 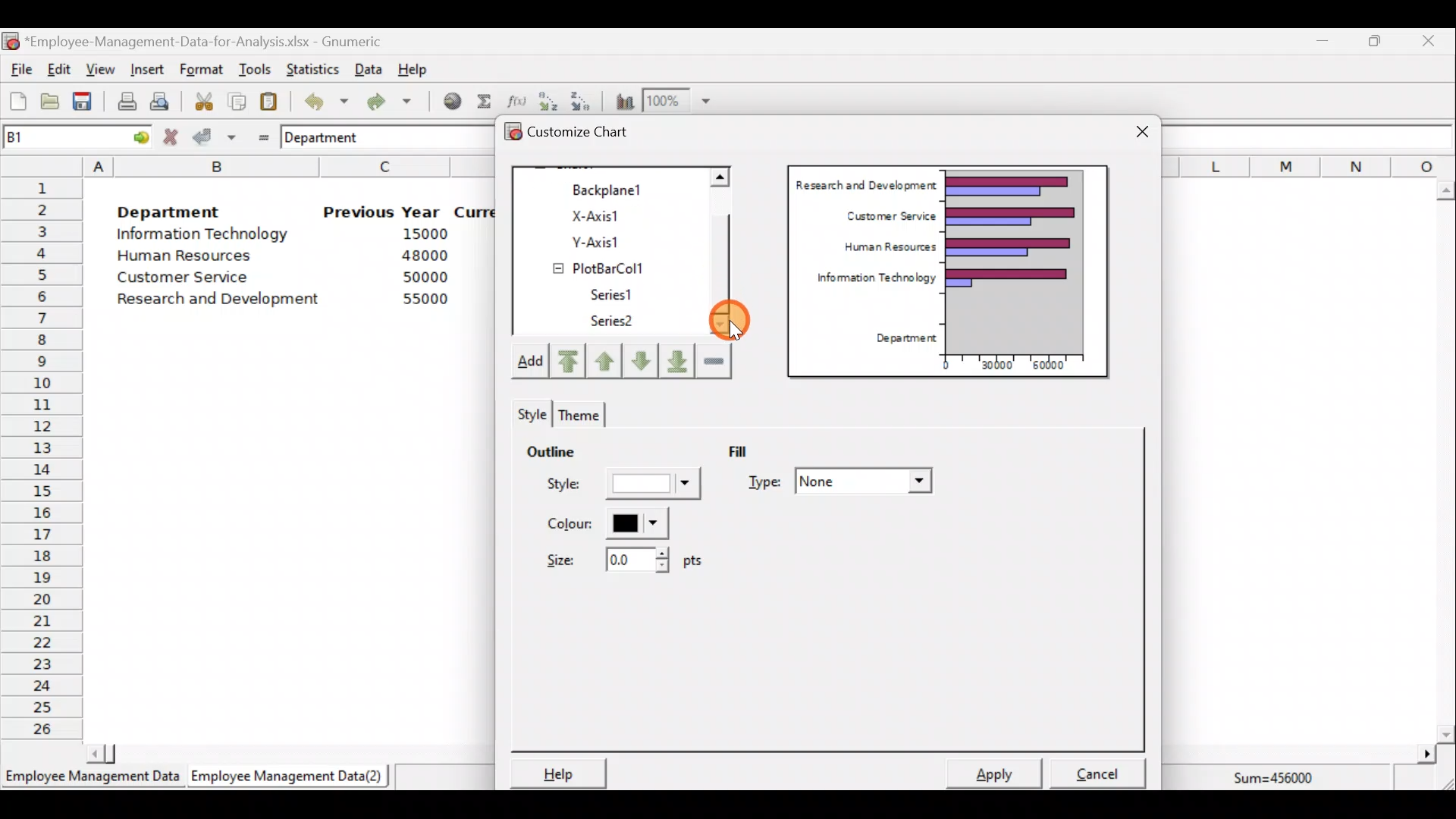 I want to click on Zoom, so click(x=678, y=100).